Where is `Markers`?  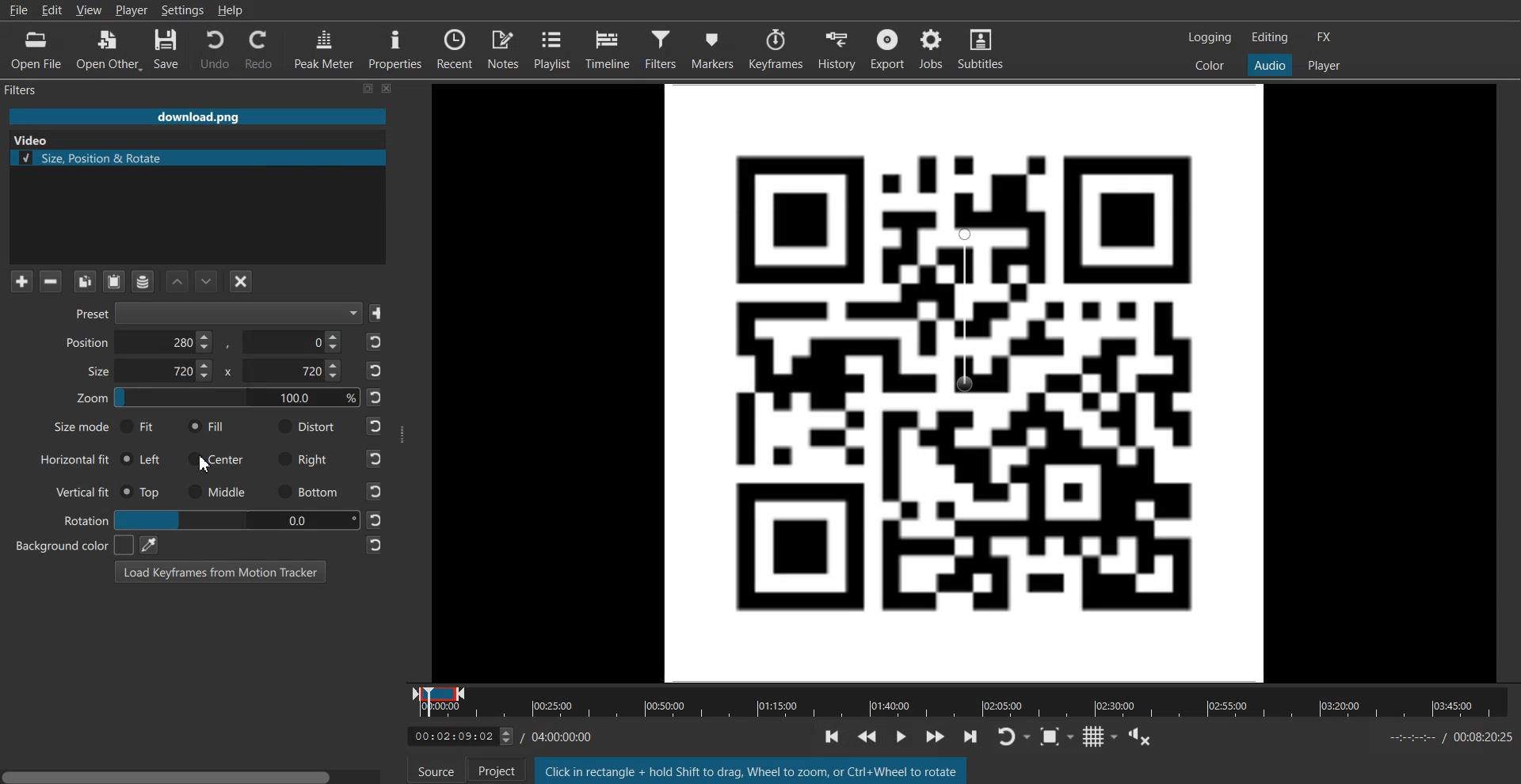 Markers is located at coordinates (714, 48).